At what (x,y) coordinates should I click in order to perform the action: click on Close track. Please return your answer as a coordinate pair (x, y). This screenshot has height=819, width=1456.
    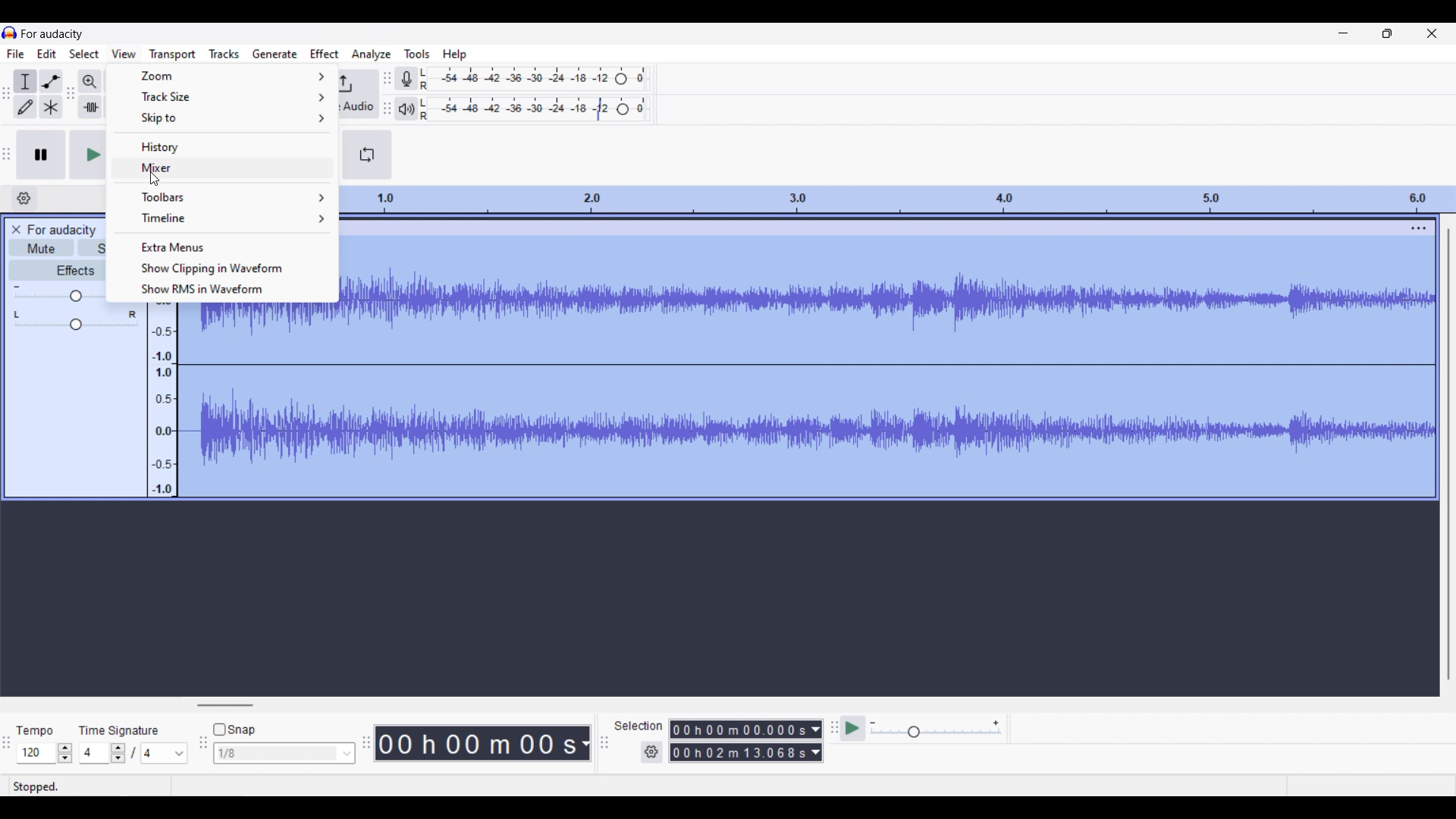
    Looking at the image, I should click on (16, 230).